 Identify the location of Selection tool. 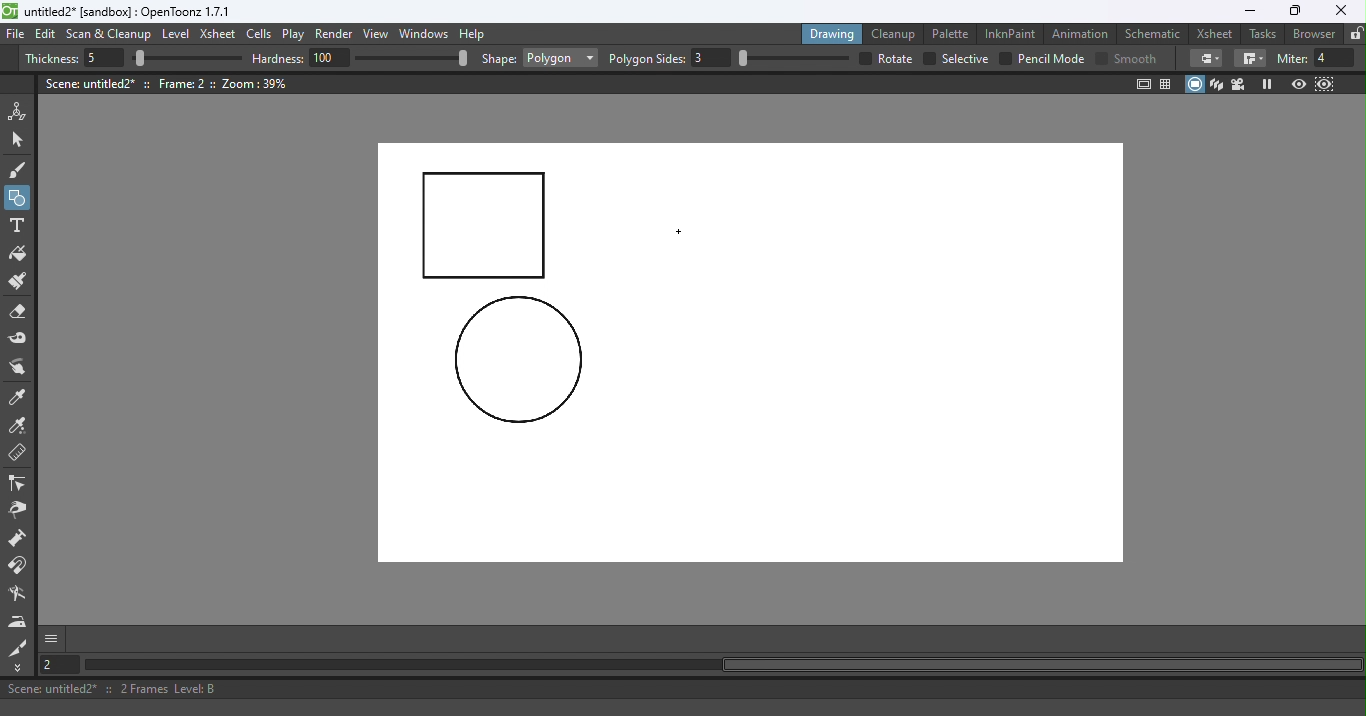
(21, 139).